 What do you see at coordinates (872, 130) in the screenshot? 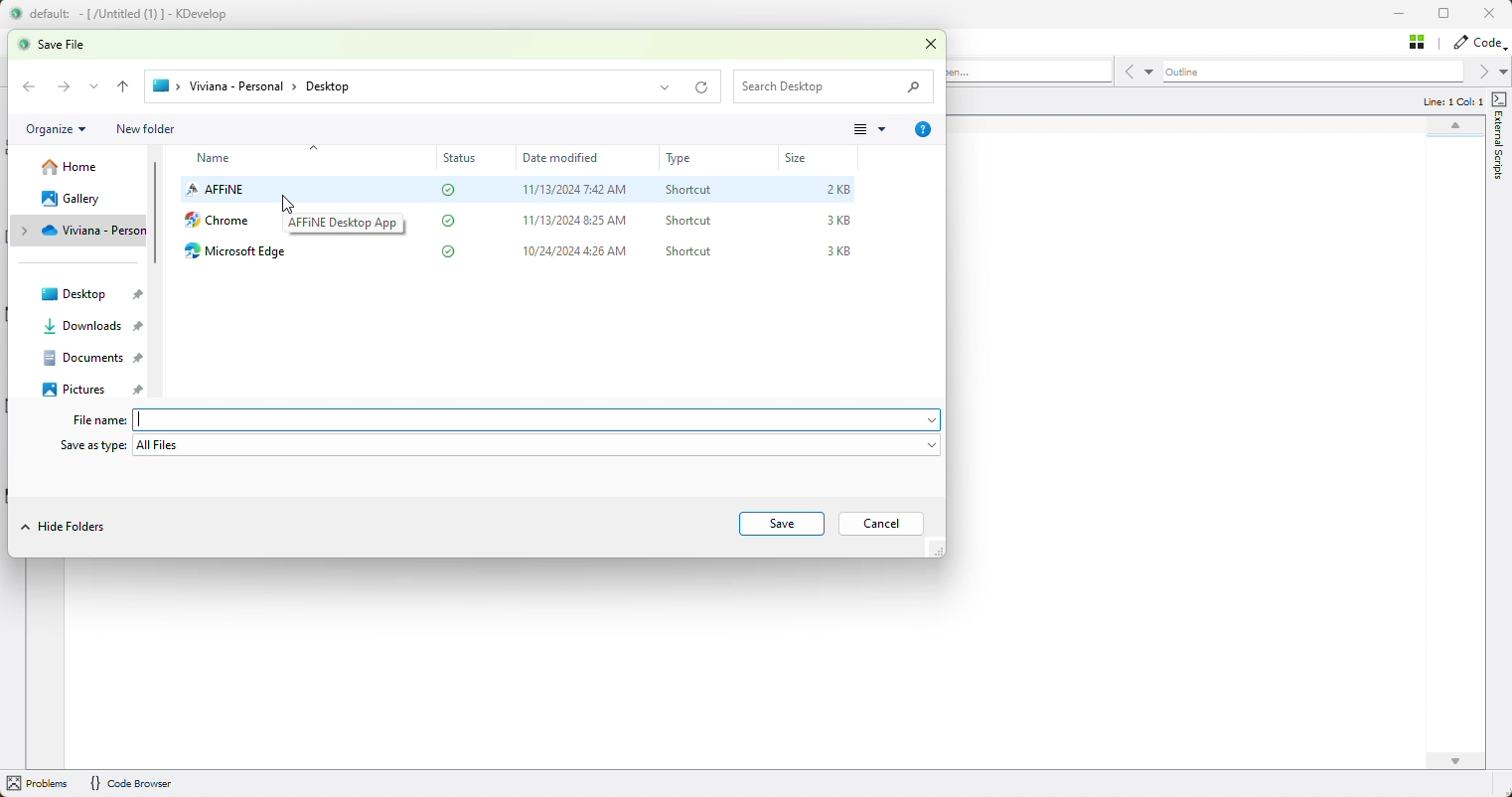
I see `more options` at bounding box center [872, 130].